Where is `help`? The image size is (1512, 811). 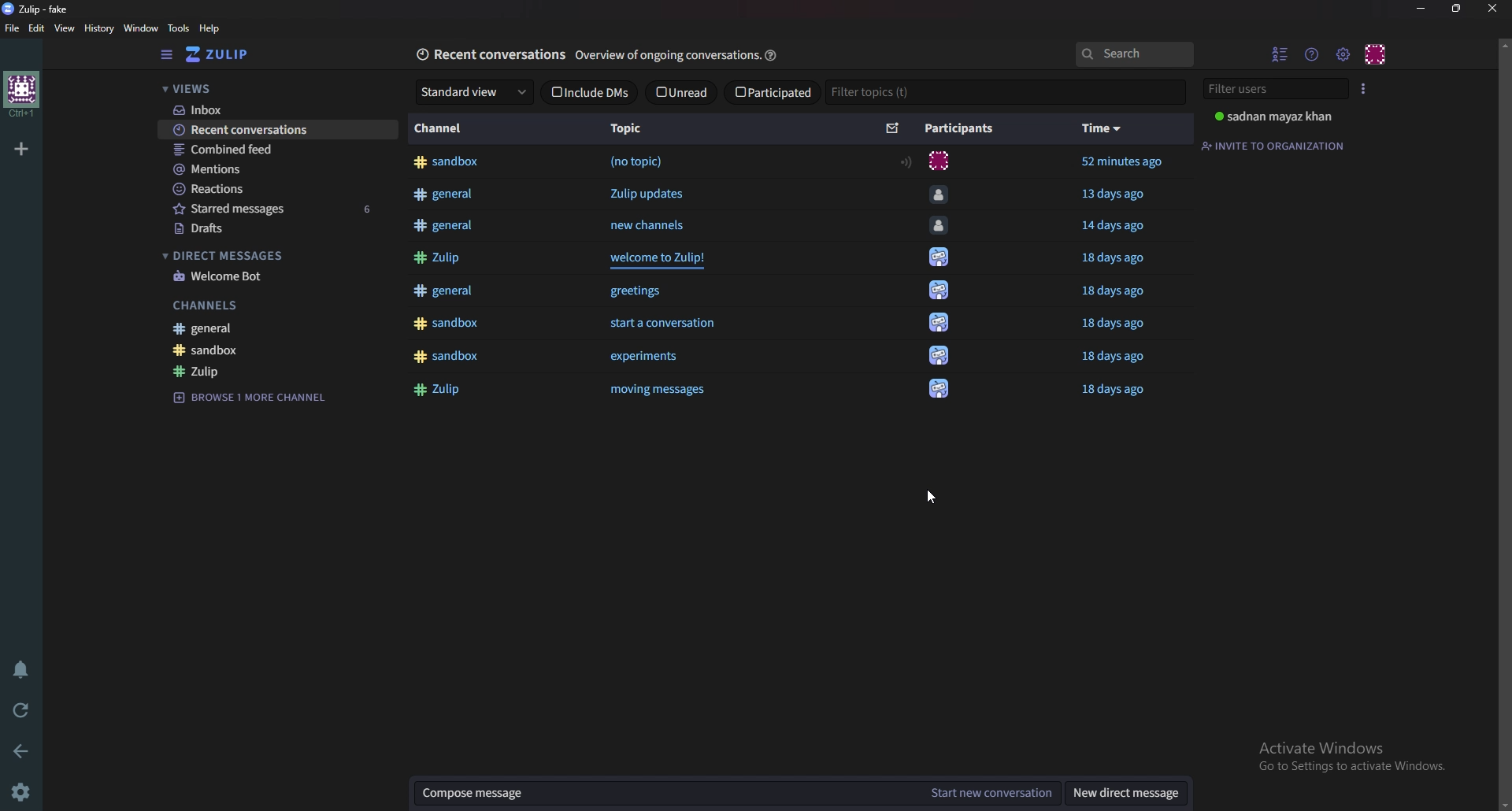 help is located at coordinates (773, 54).